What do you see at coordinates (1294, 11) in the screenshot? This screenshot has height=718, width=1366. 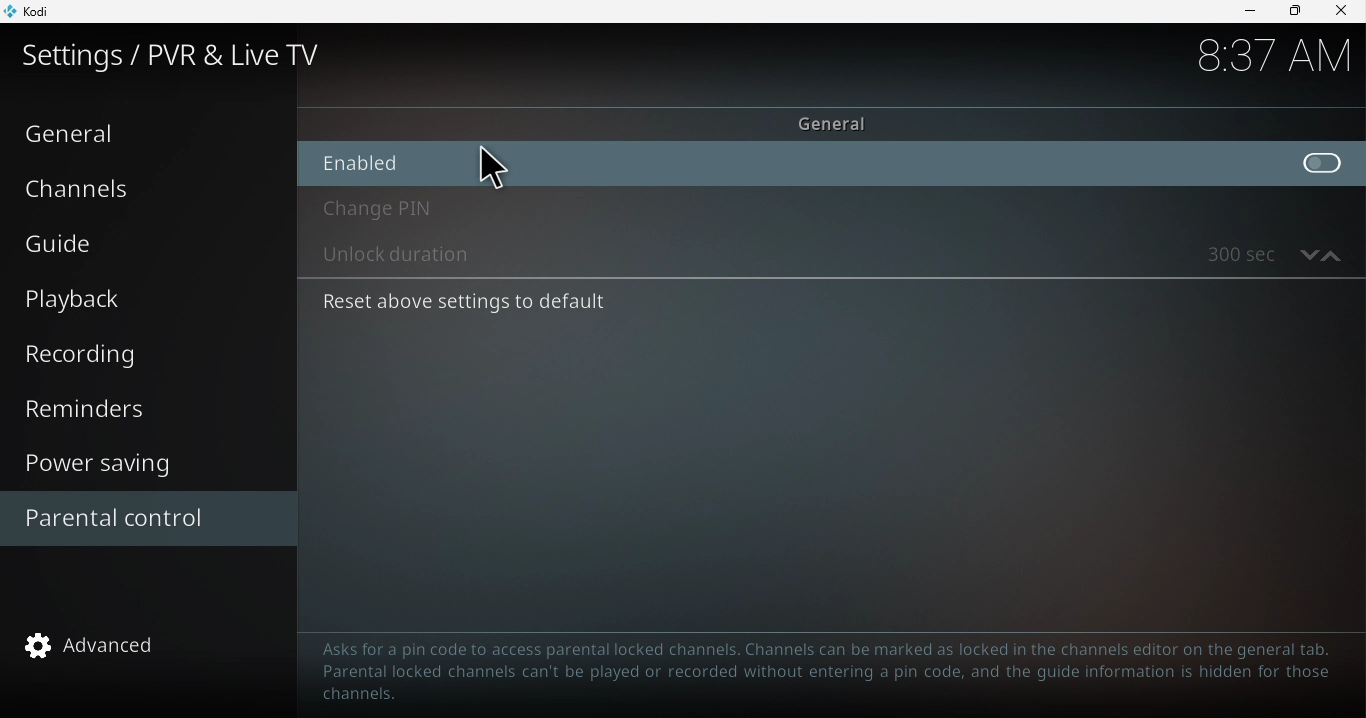 I see `Maximize` at bounding box center [1294, 11].